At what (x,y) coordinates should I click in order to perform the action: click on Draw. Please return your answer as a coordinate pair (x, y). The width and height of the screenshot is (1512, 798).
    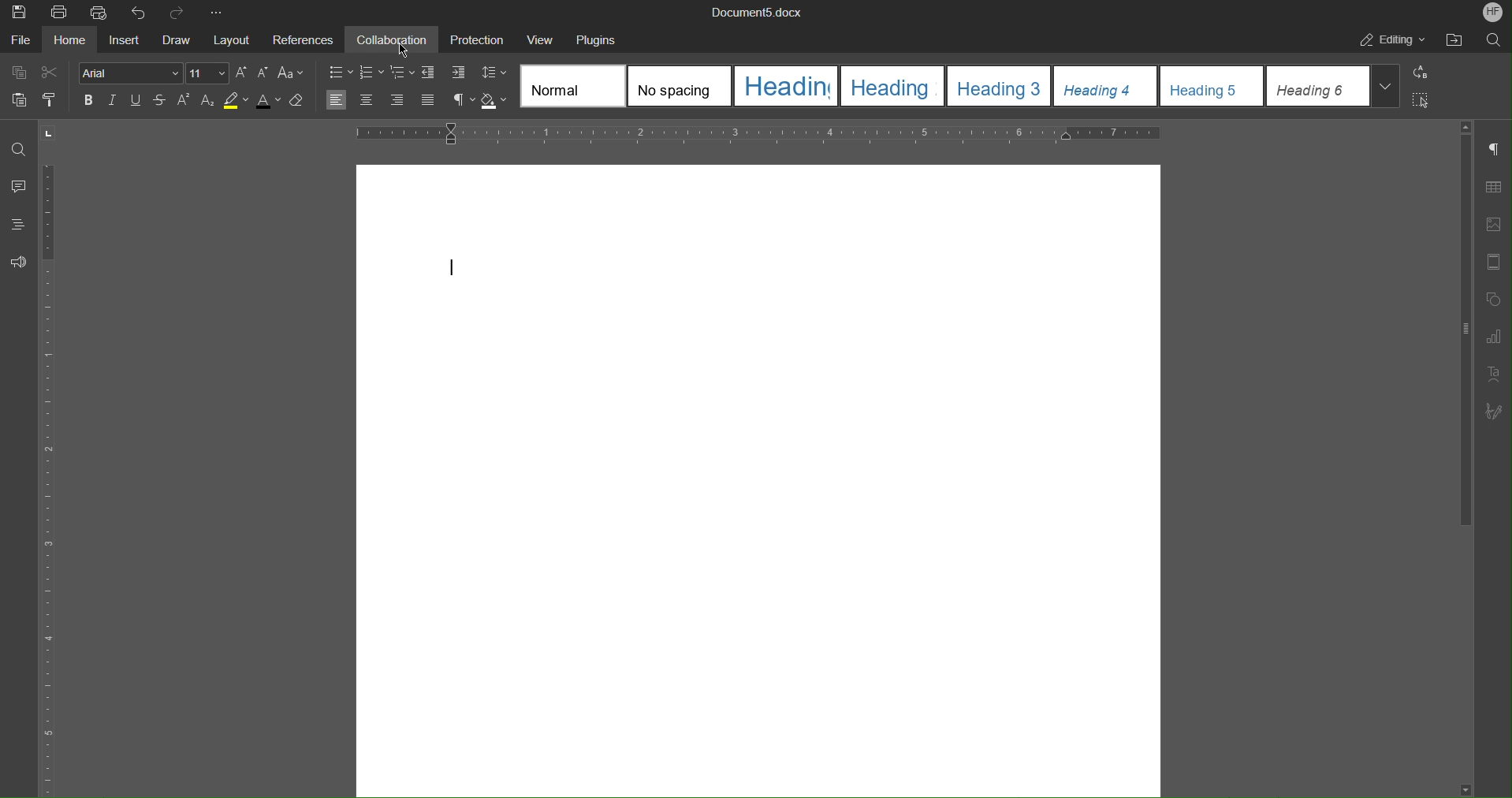
    Looking at the image, I should click on (181, 38).